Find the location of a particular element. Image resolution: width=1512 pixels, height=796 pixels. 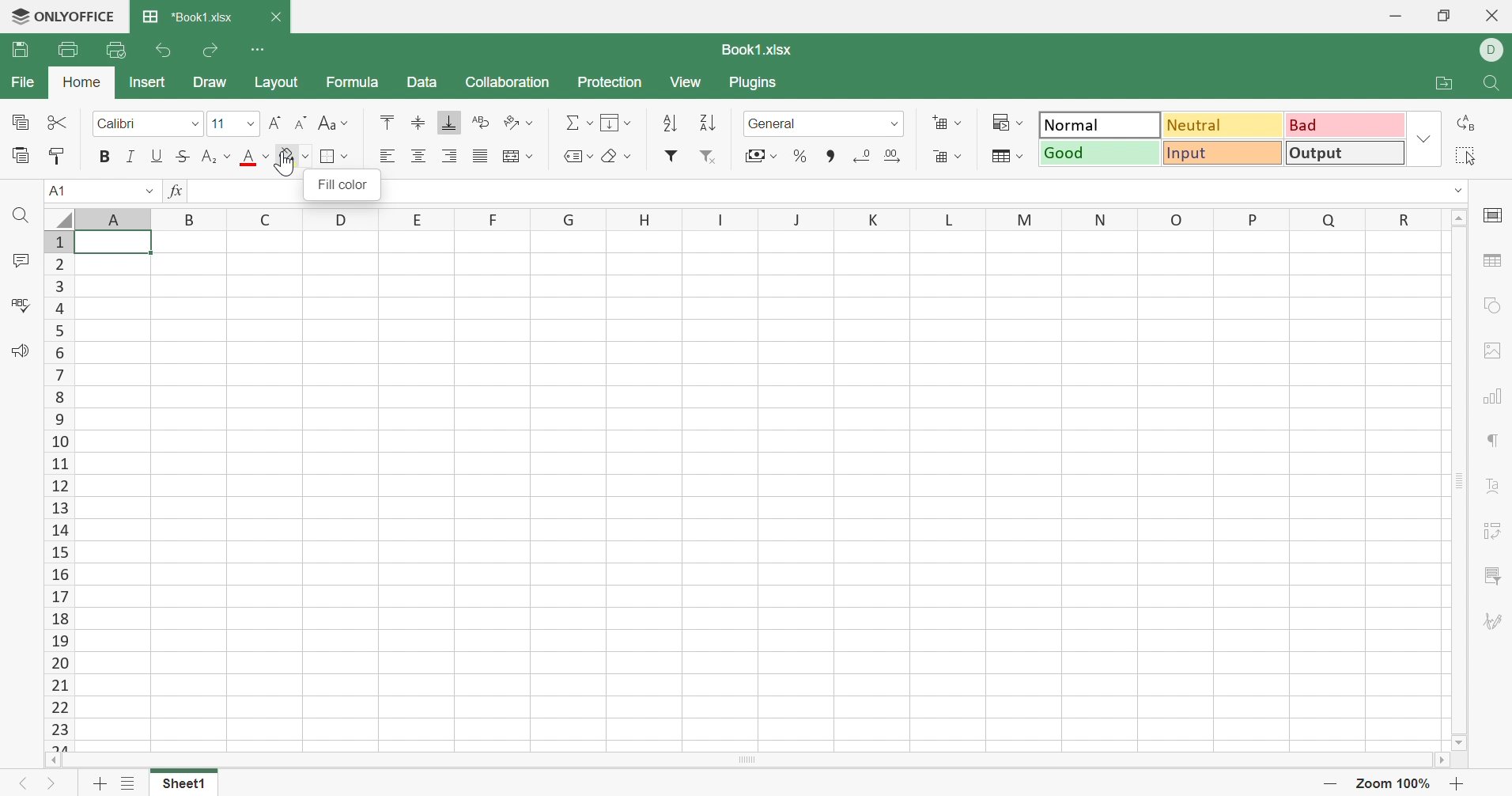

Increase decimal is located at coordinates (892, 154).